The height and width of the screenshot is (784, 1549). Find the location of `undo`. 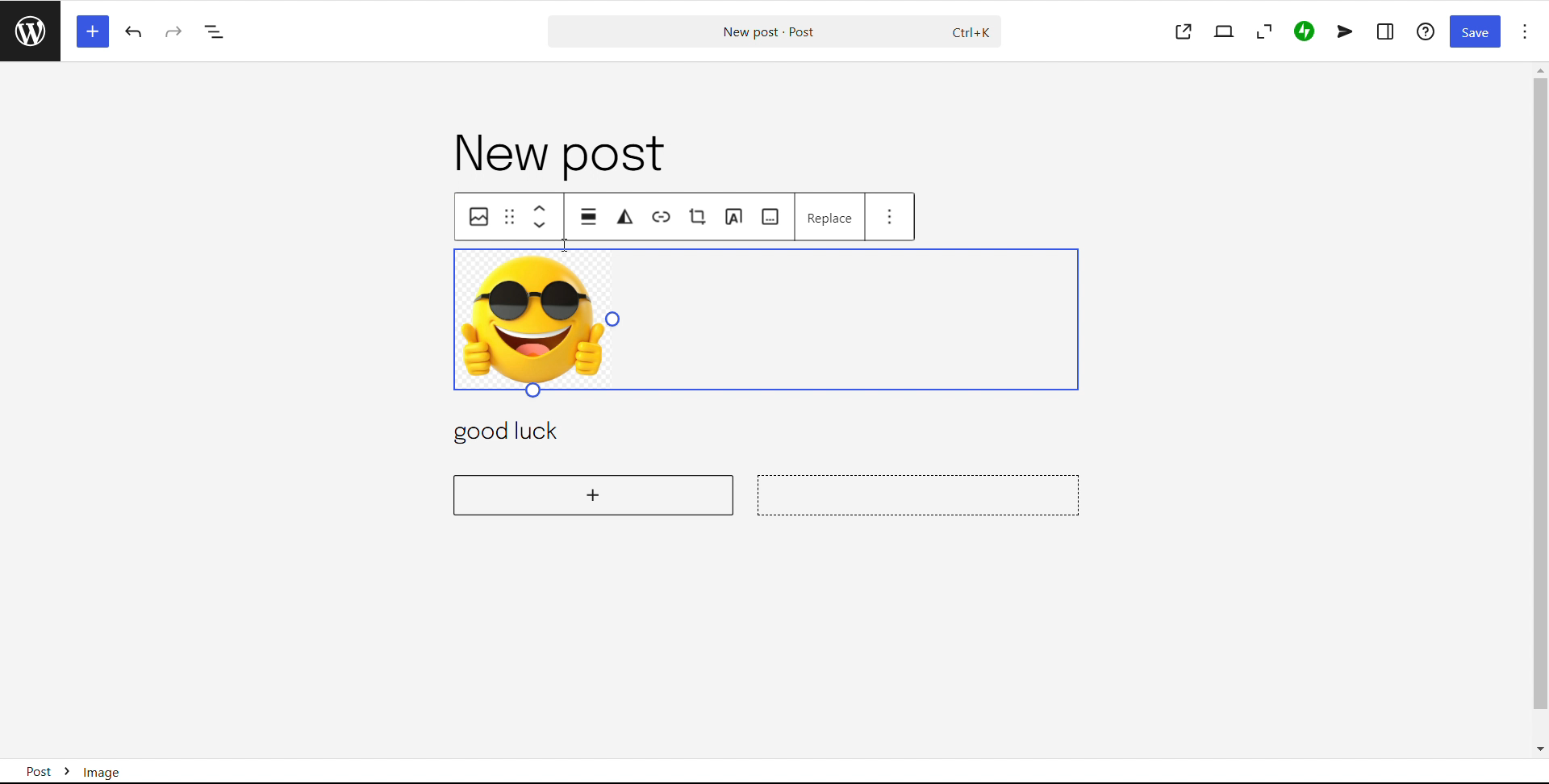

undo is located at coordinates (136, 32).